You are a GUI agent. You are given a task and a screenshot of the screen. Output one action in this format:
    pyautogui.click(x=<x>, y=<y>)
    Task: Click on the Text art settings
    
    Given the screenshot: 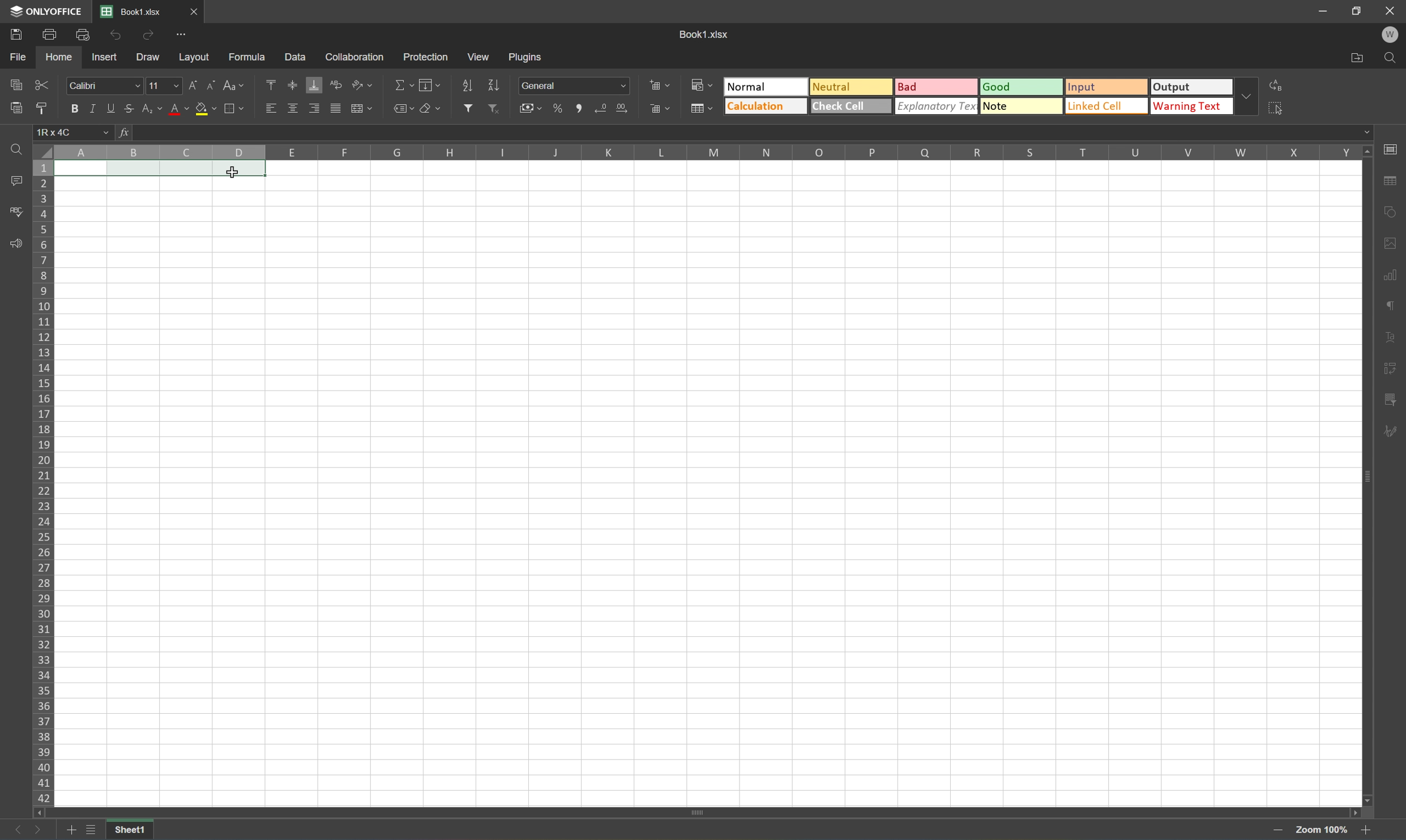 What is the action you would take?
    pyautogui.click(x=1390, y=338)
    